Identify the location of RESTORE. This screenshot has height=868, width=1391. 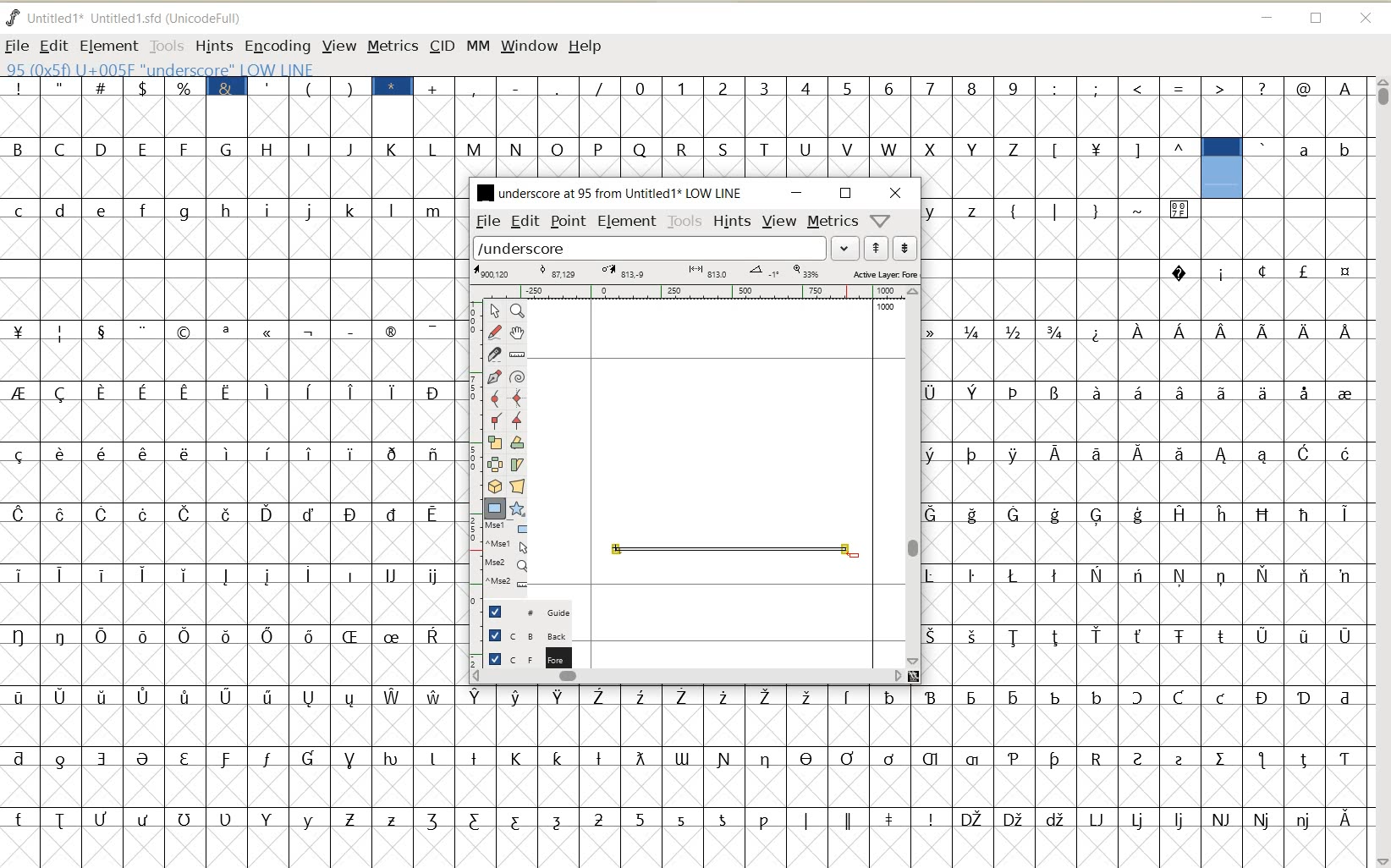
(1317, 19).